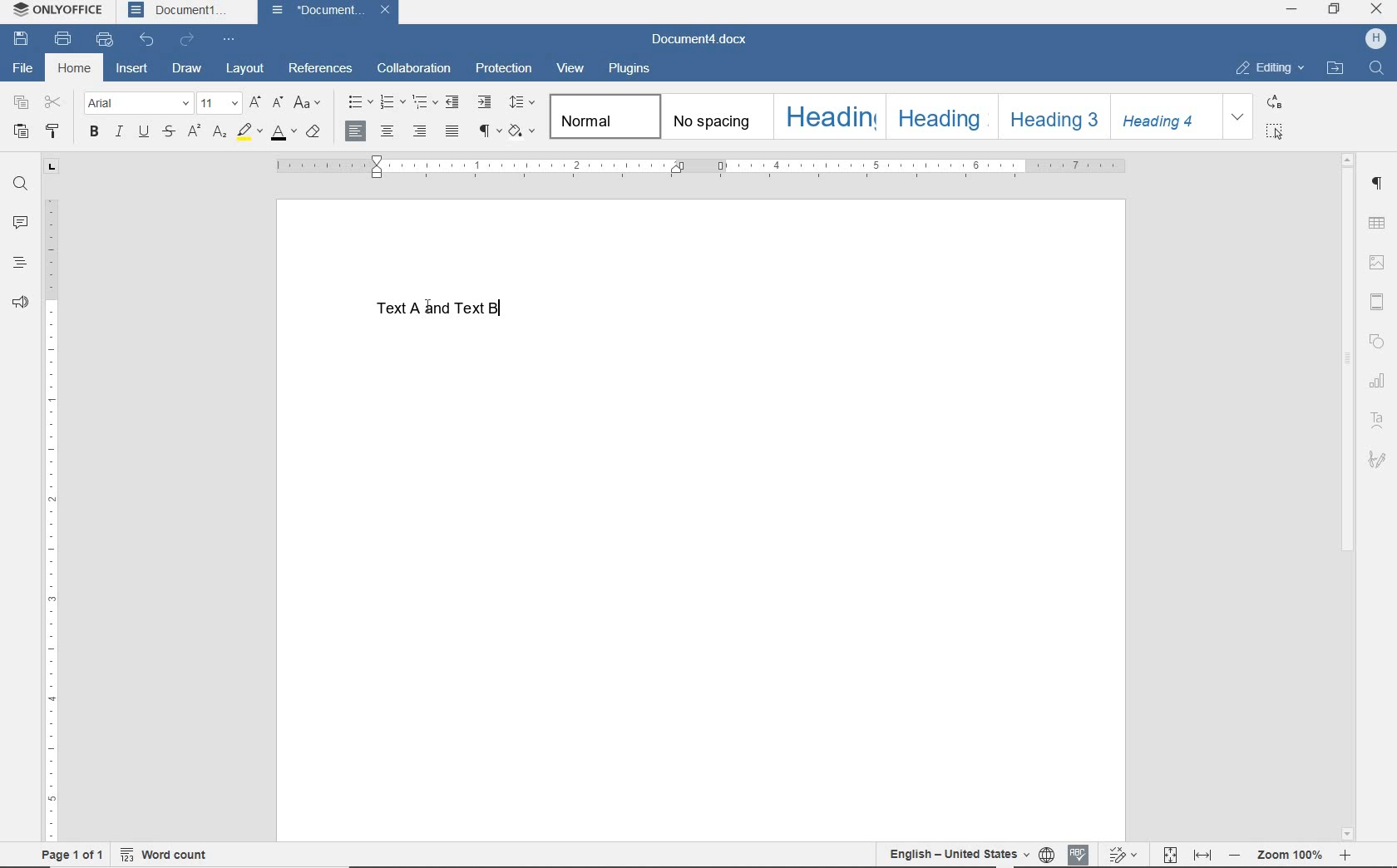 The height and width of the screenshot is (868, 1397). What do you see at coordinates (503, 68) in the screenshot?
I see `PROTECTION` at bounding box center [503, 68].